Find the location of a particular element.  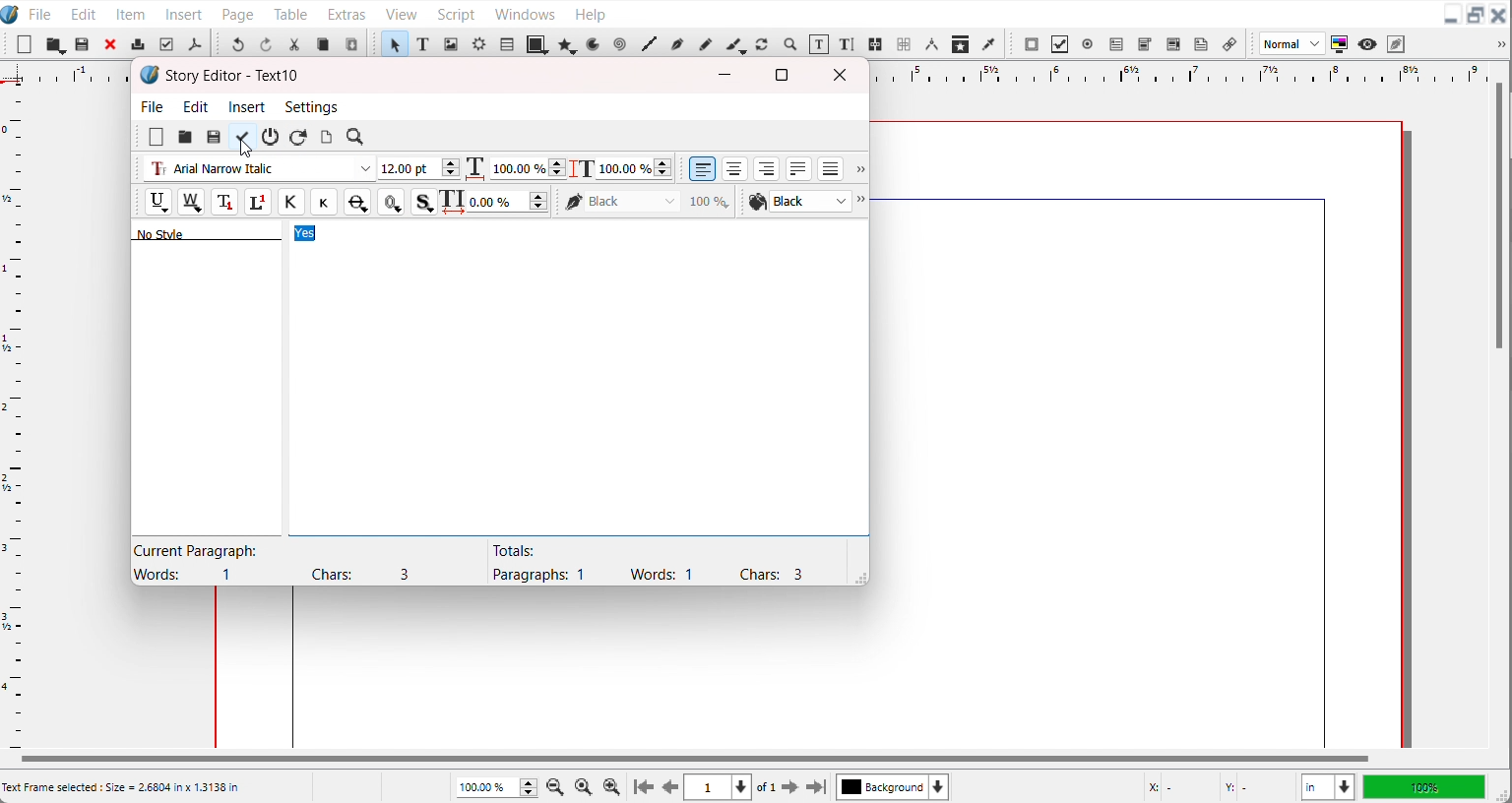

Text is located at coordinates (233, 76).